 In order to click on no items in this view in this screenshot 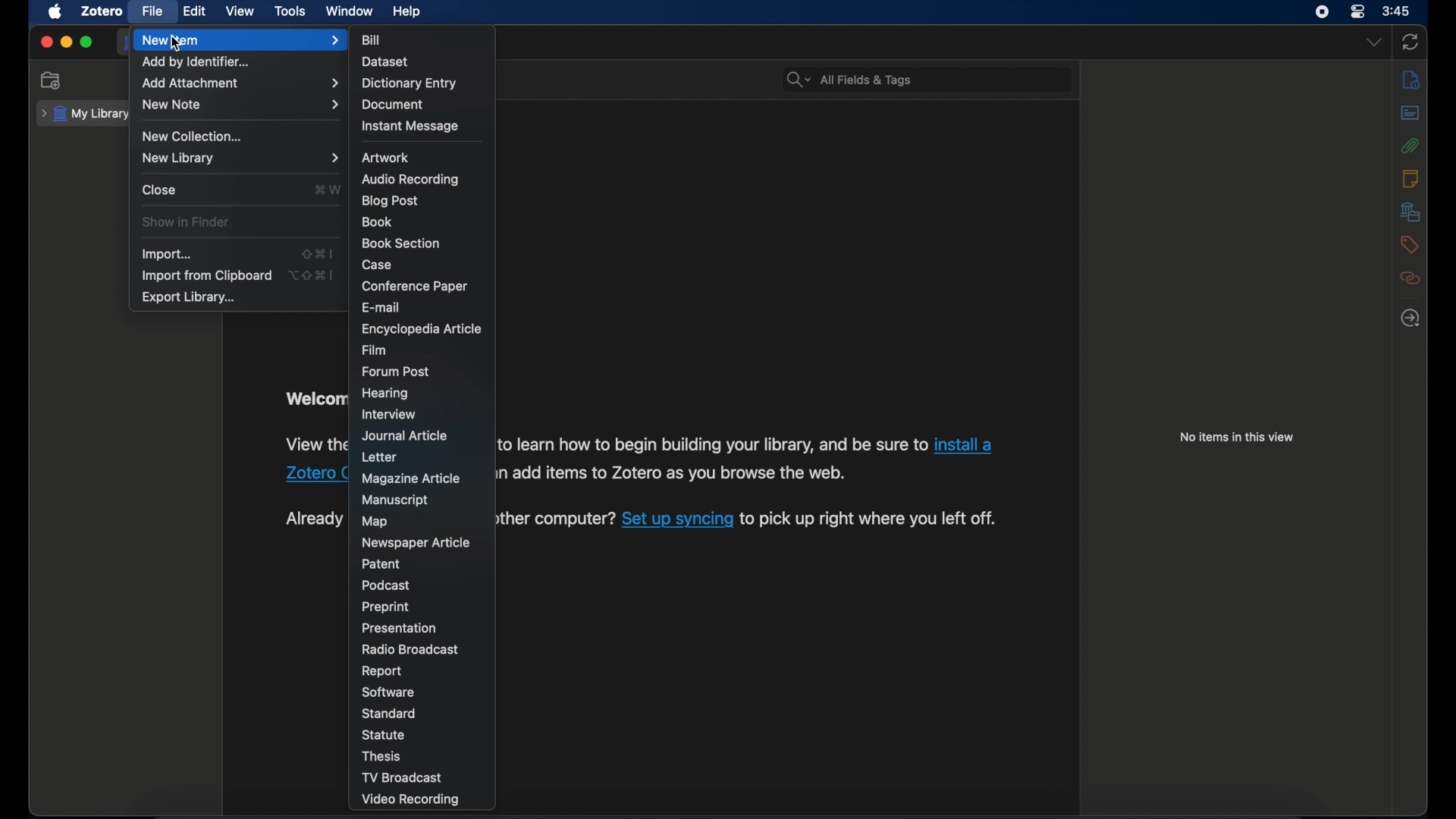, I will do `click(1238, 437)`.